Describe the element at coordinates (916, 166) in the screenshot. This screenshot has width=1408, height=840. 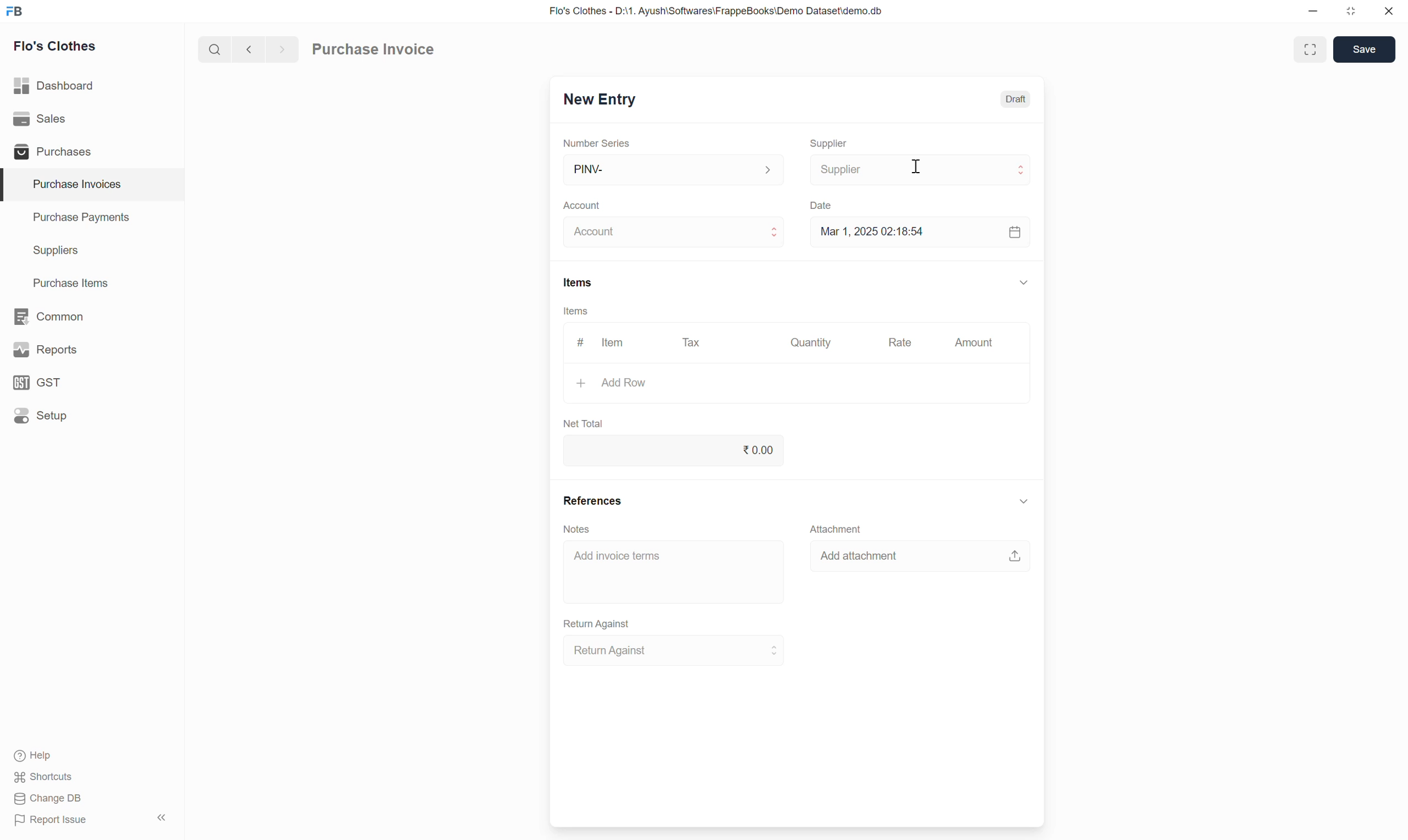
I see `Cursor` at that location.